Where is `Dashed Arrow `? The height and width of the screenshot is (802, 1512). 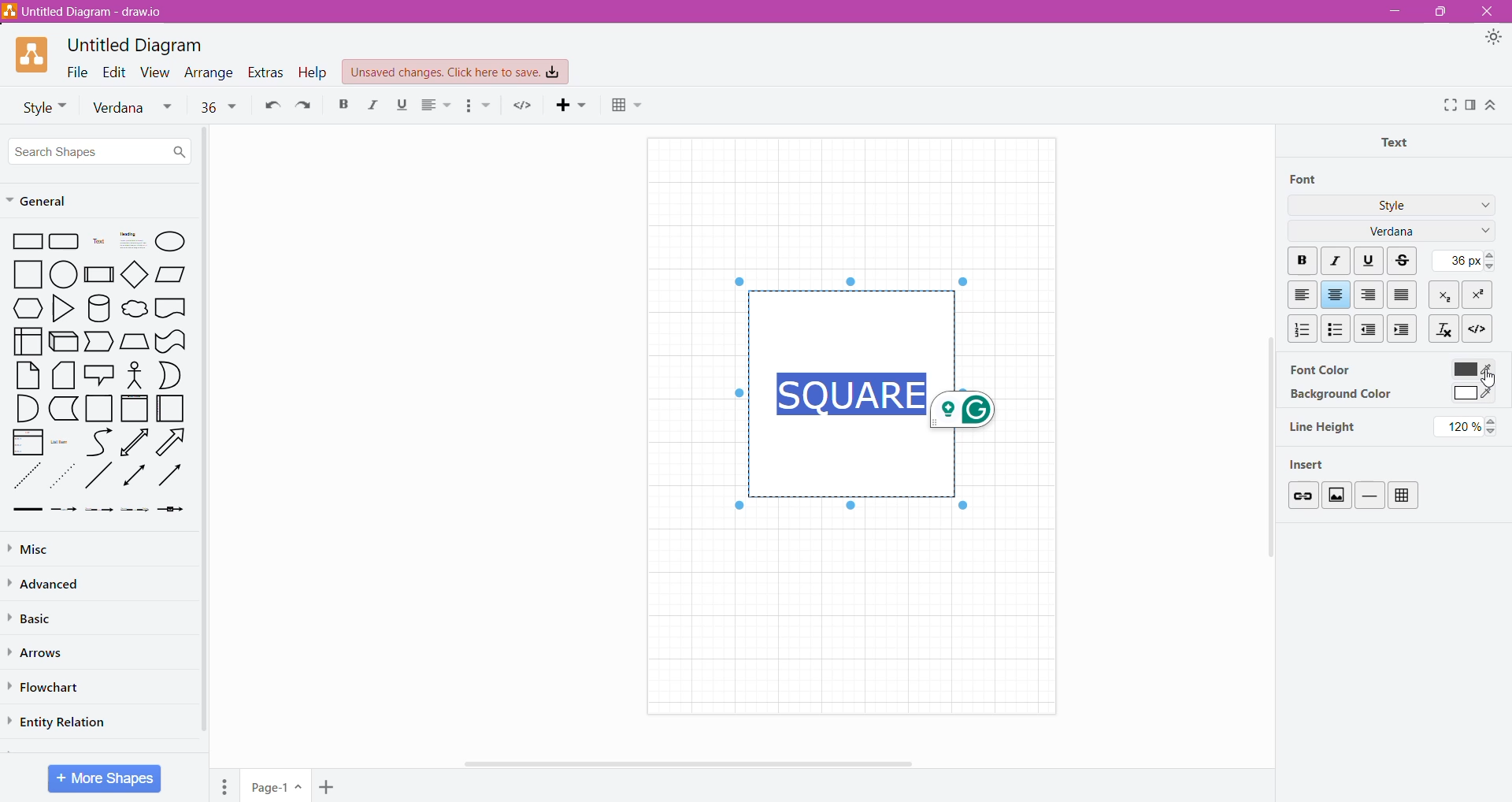
Dashed Arrow  is located at coordinates (63, 508).